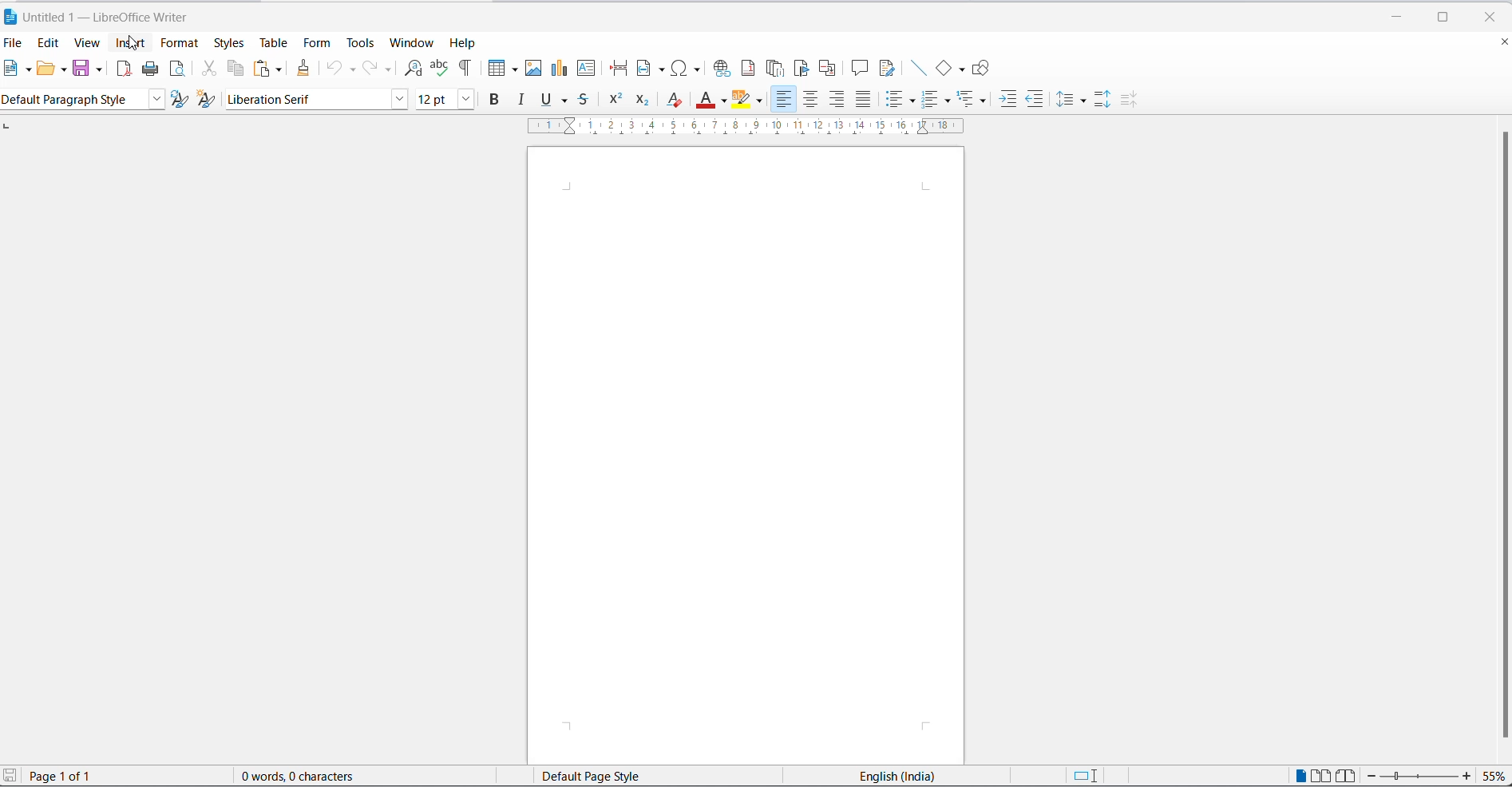 The height and width of the screenshot is (787, 1512). Describe the element at coordinates (649, 69) in the screenshot. I see `insert field` at that location.